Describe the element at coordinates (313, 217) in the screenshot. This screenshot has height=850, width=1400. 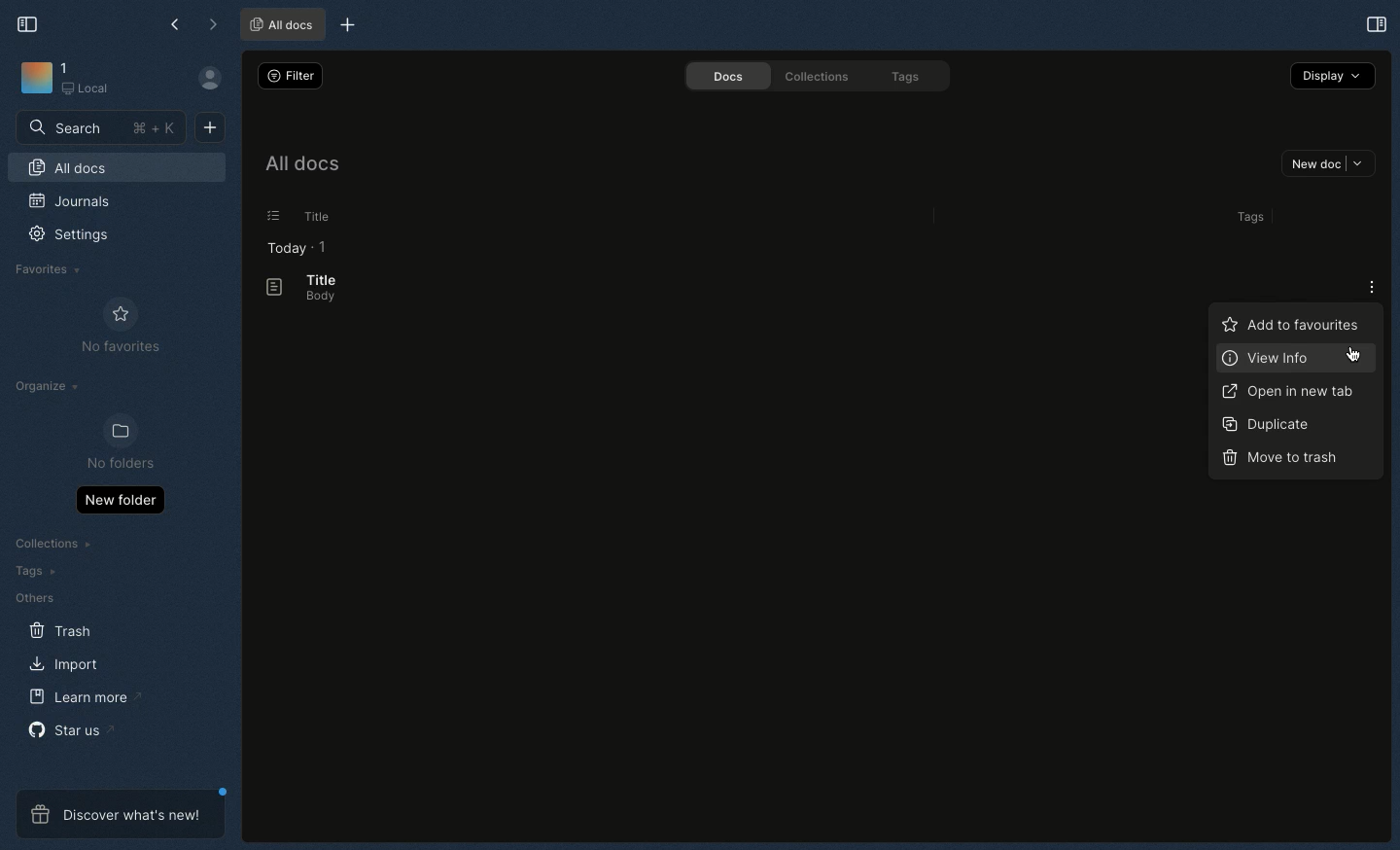
I see `Title` at that location.